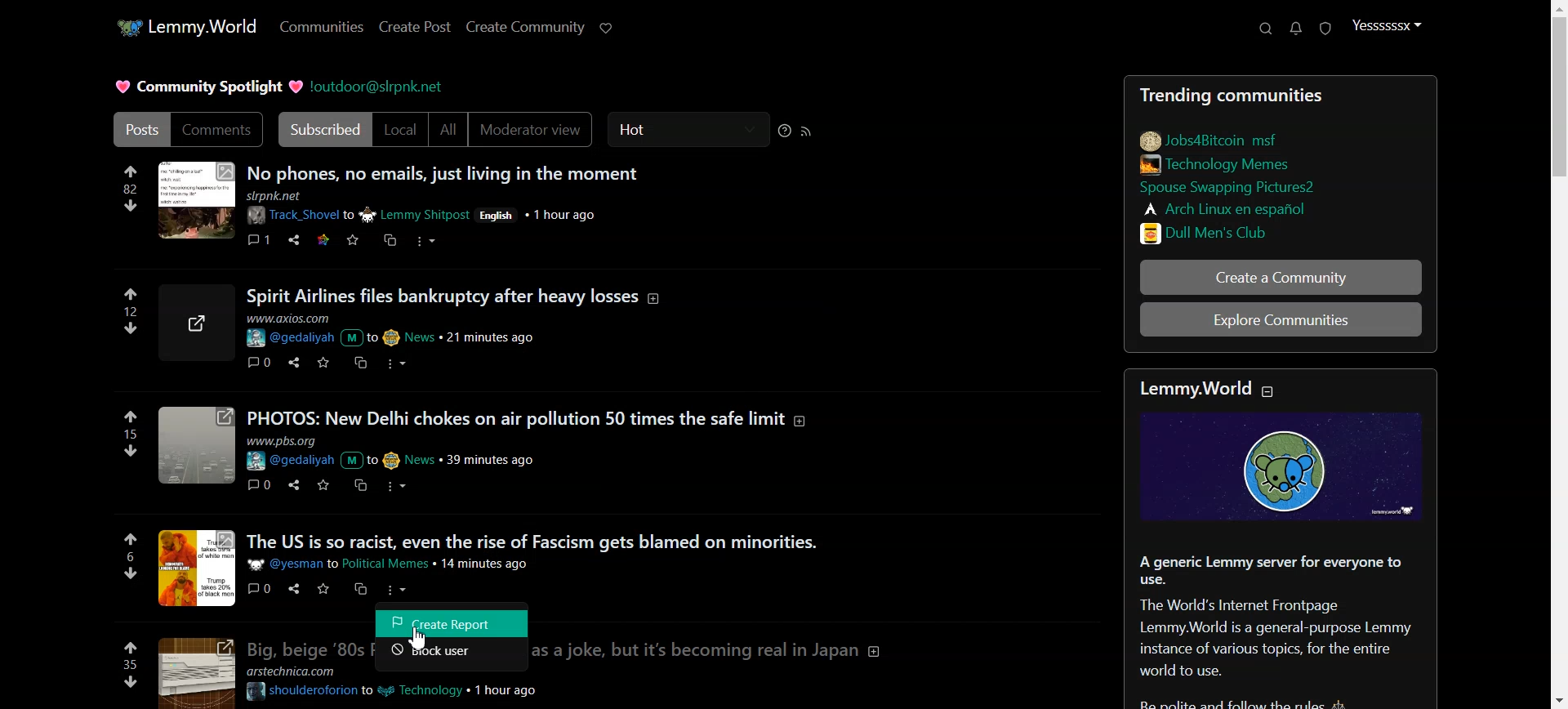 This screenshot has height=709, width=1568. I want to click on Hyperlink, so click(379, 86).